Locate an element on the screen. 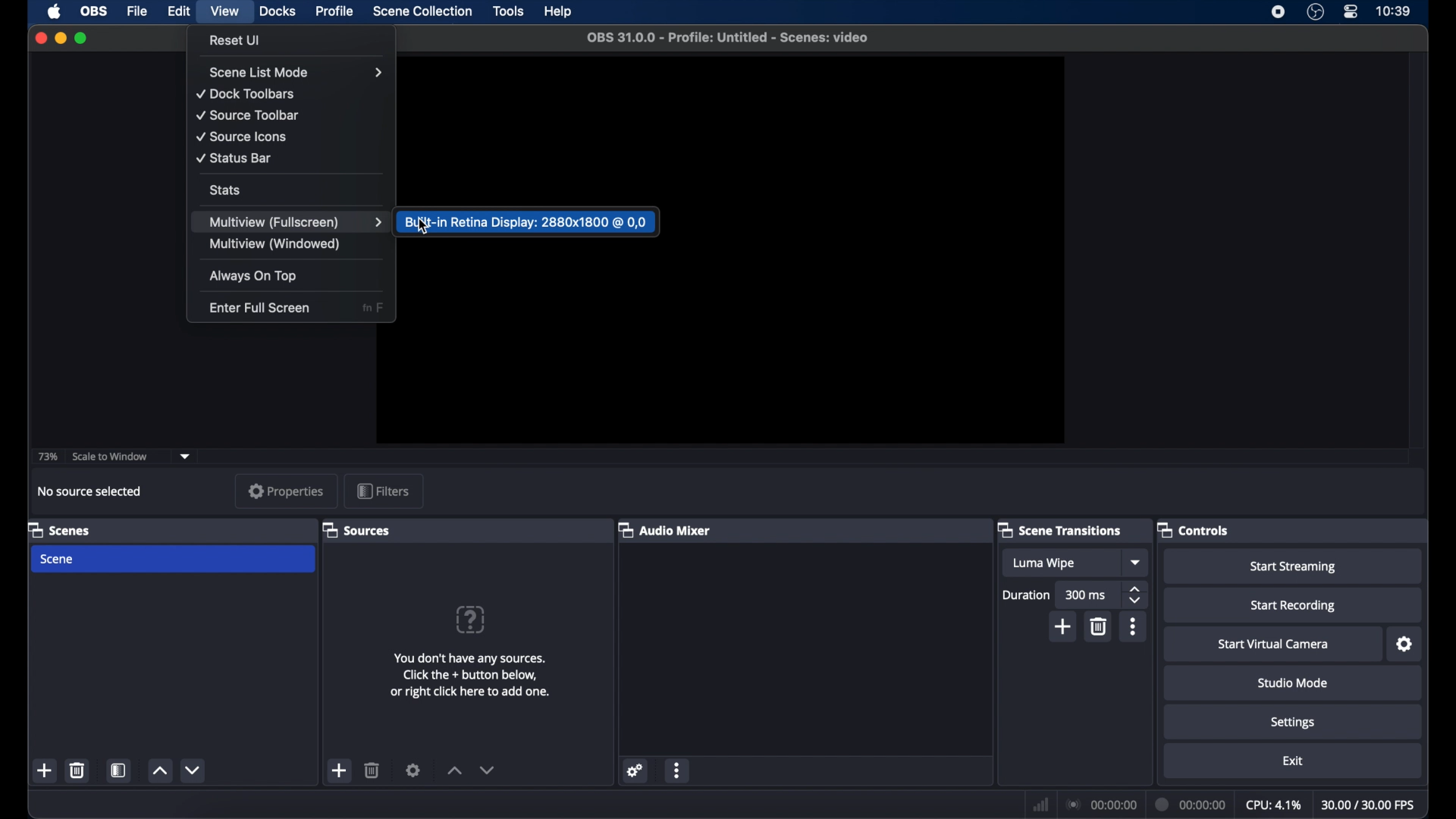 The image size is (1456, 819). multiview (windowed) is located at coordinates (274, 243).